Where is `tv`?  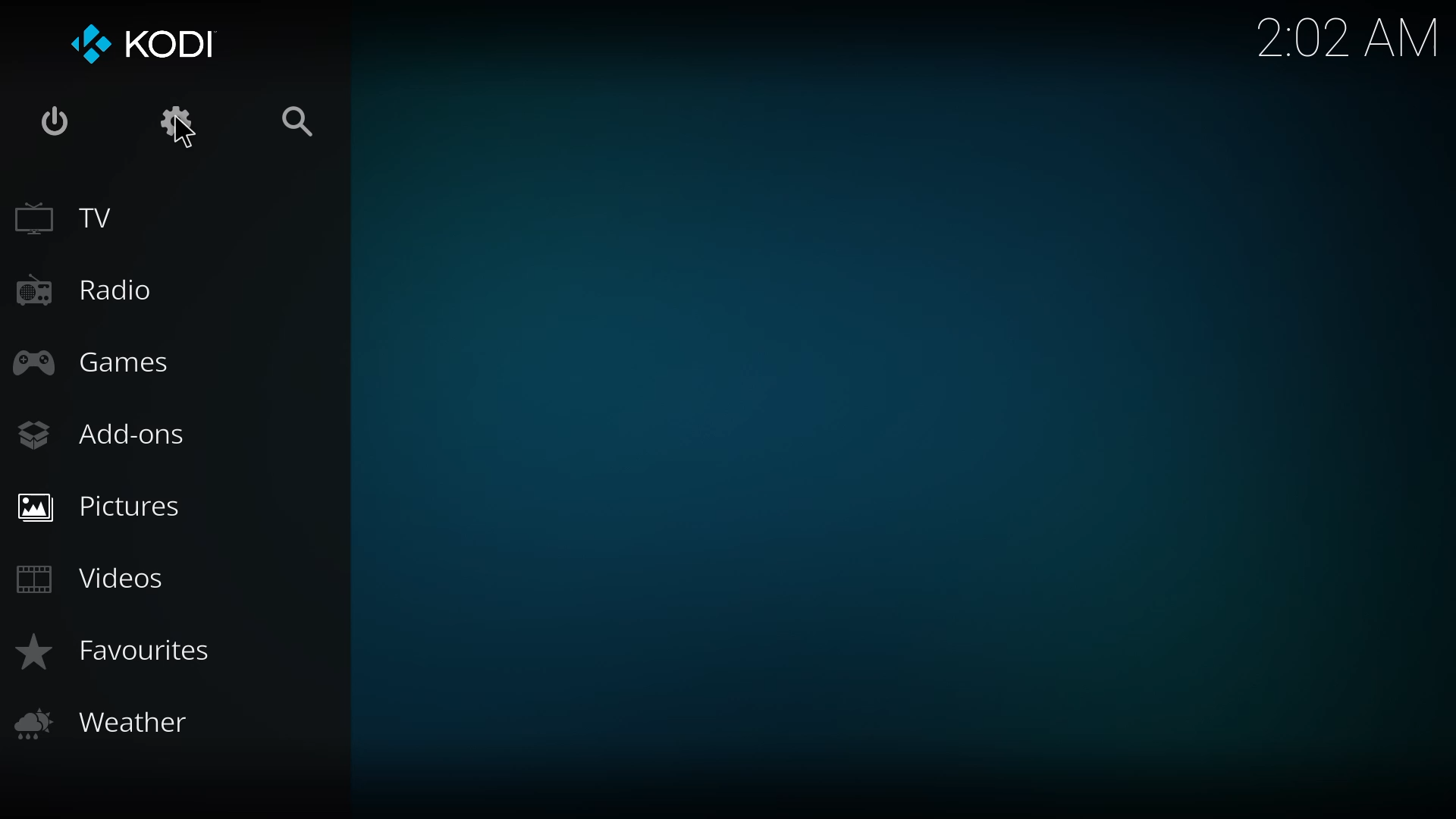 tv is located at coordinates (73, 218).